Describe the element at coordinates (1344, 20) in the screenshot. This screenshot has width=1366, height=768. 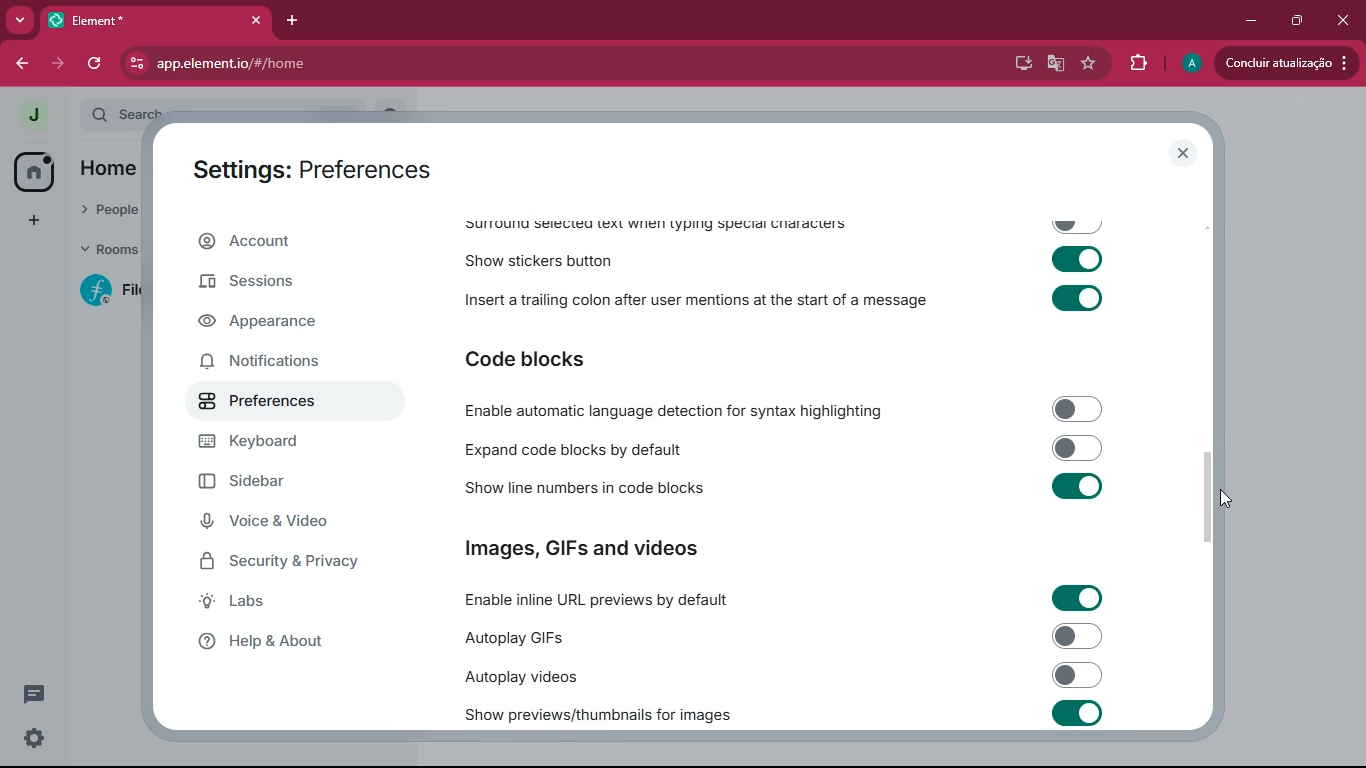
I see `close` at that location.